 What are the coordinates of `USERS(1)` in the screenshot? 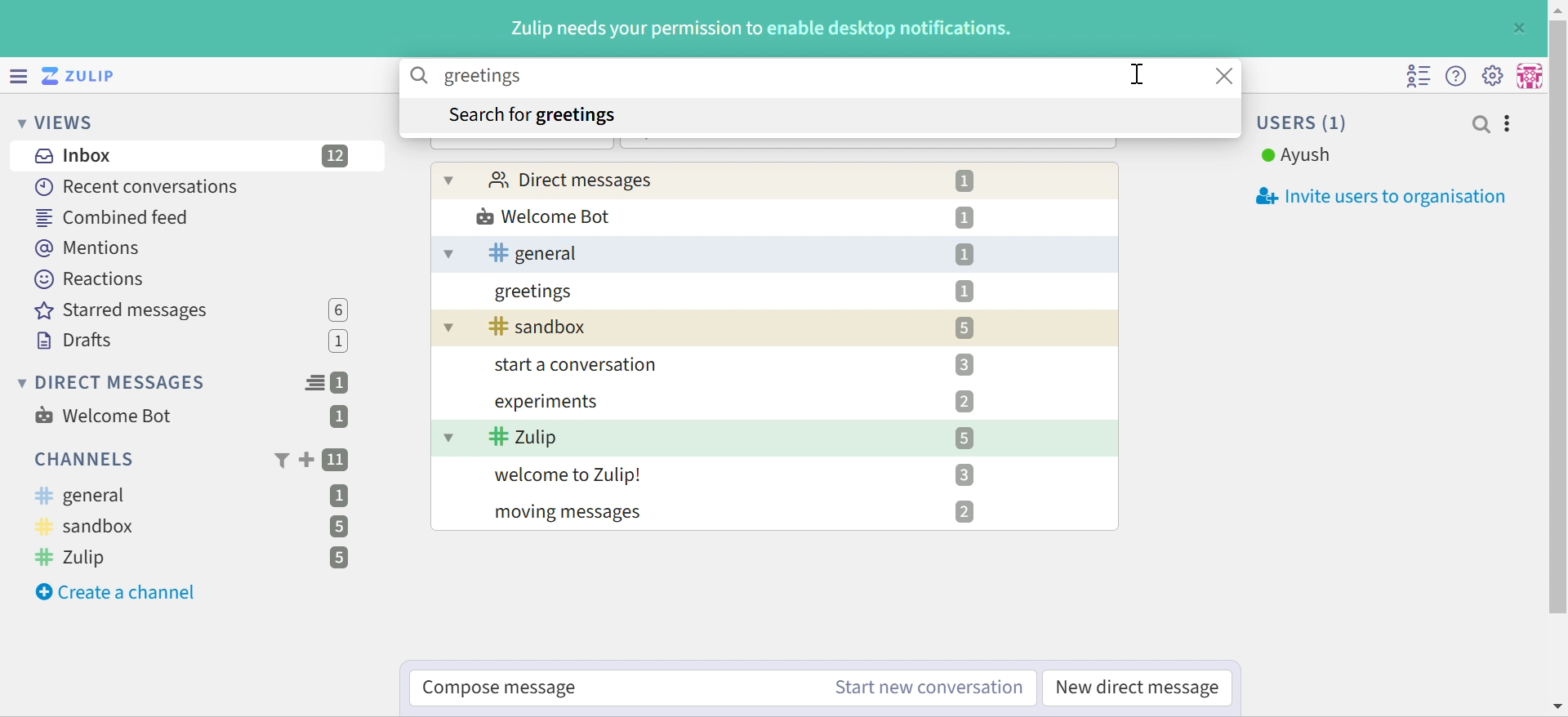 It's located at (1304, 122).